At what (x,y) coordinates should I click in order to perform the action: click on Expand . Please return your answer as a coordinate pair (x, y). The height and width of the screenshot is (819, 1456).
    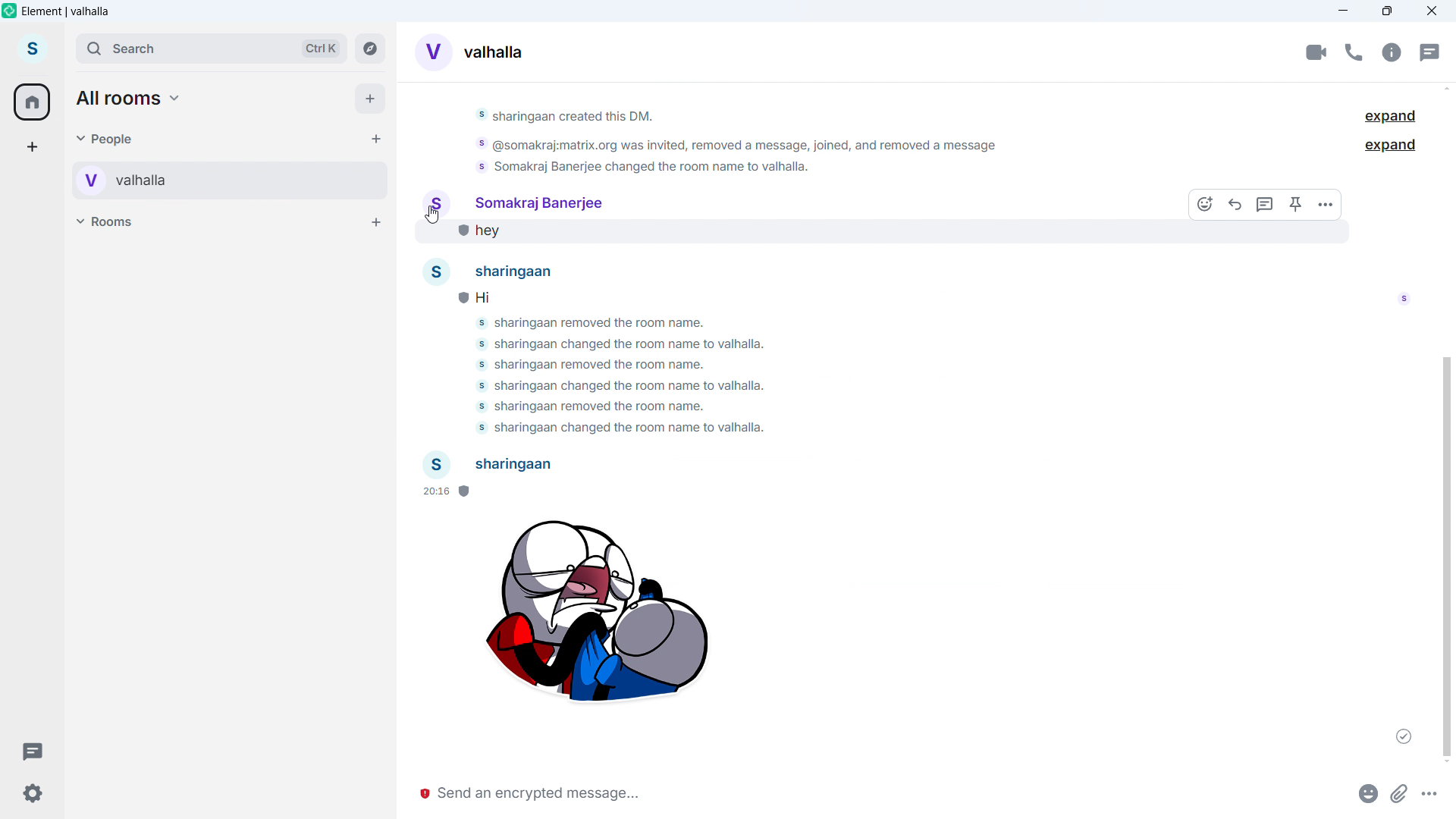
    Looking at the image, I should click on (1395, 118).